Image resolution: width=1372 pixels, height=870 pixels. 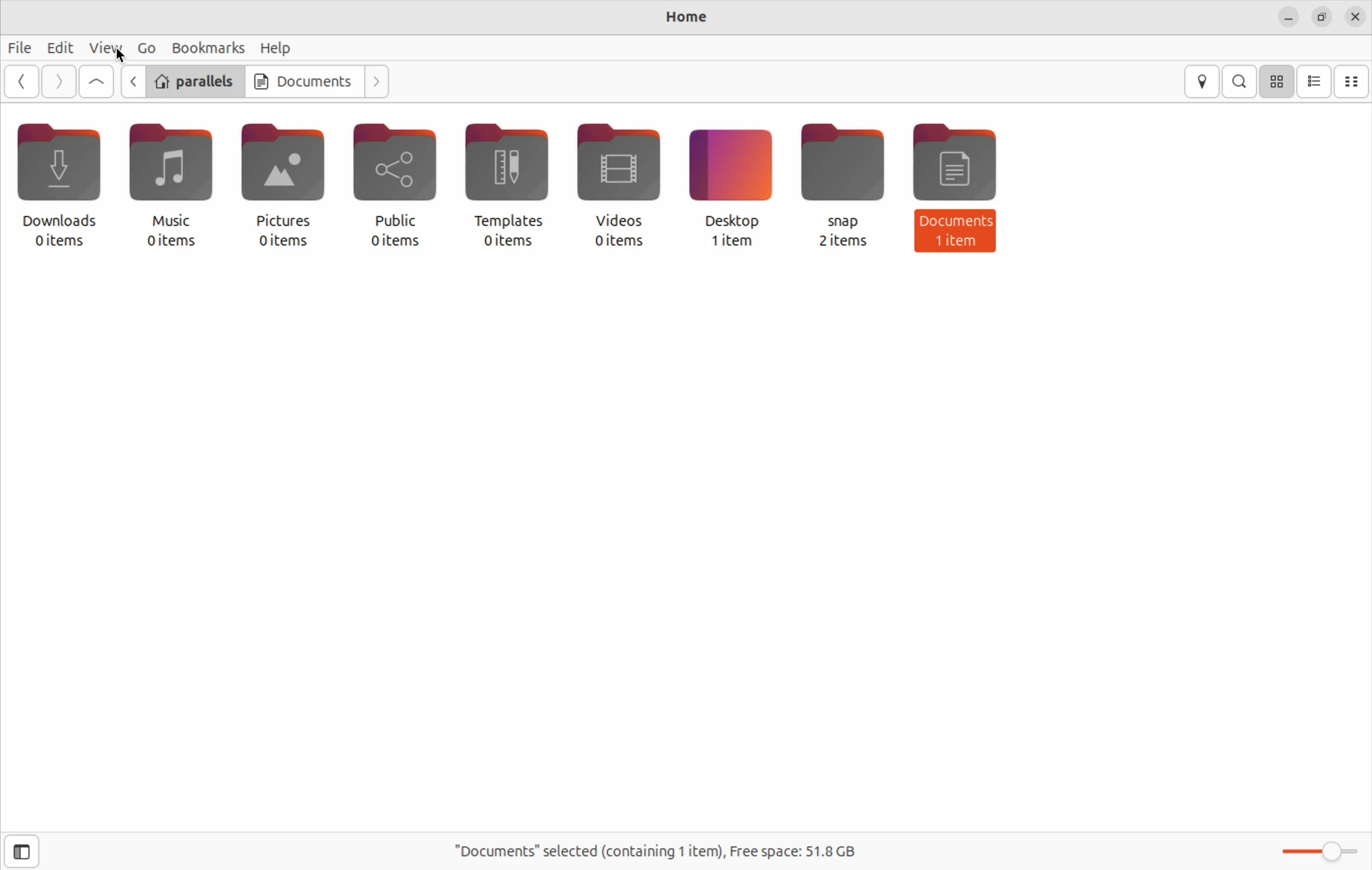 What do you see at coordinates (74, 246) in the screenshot?
I see `0 items` at bounding box center [74, 246].